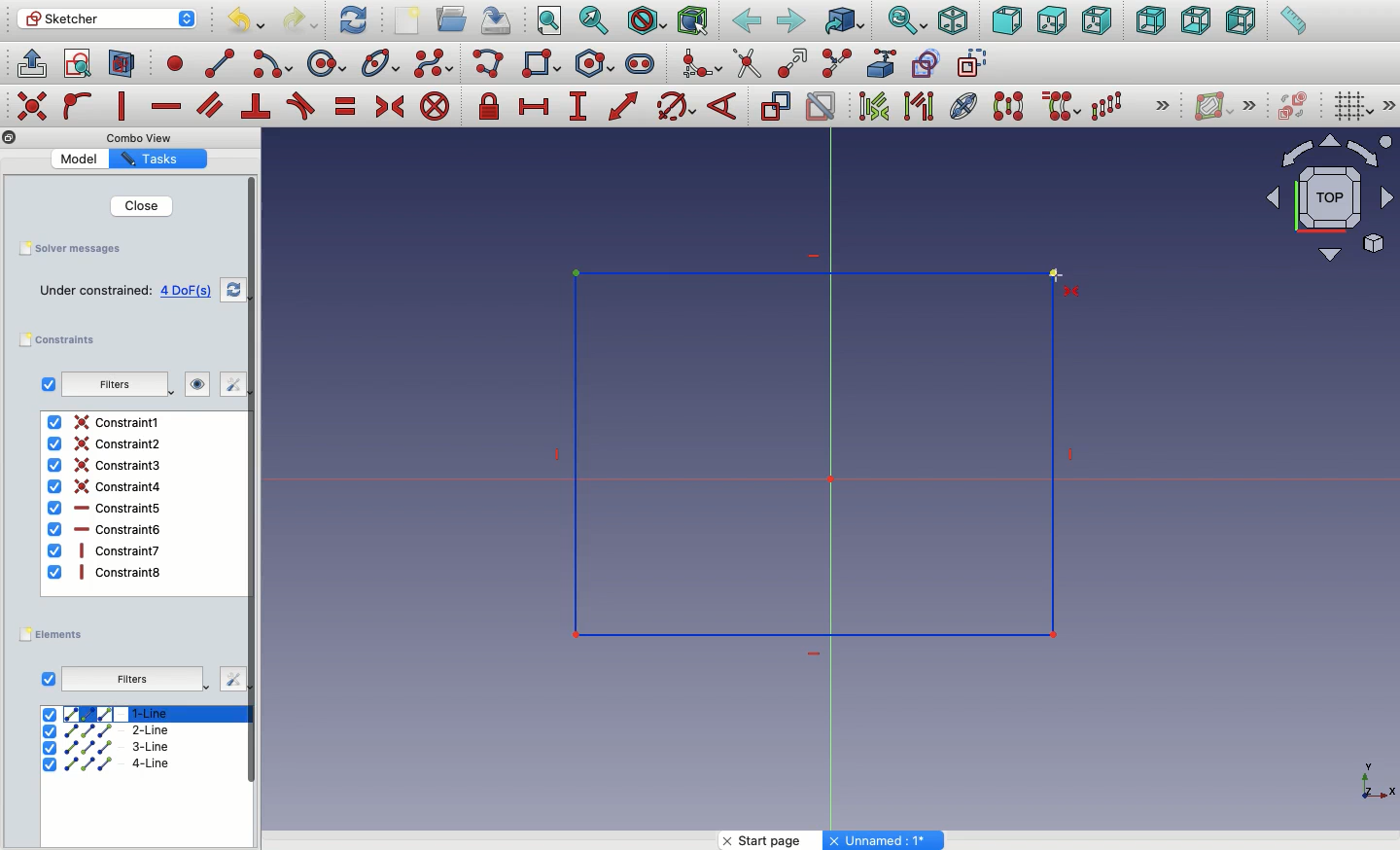  What do you see at coordinates (231, 679) in the screenshot?
I see `edit` at bounding box center [231, 679].